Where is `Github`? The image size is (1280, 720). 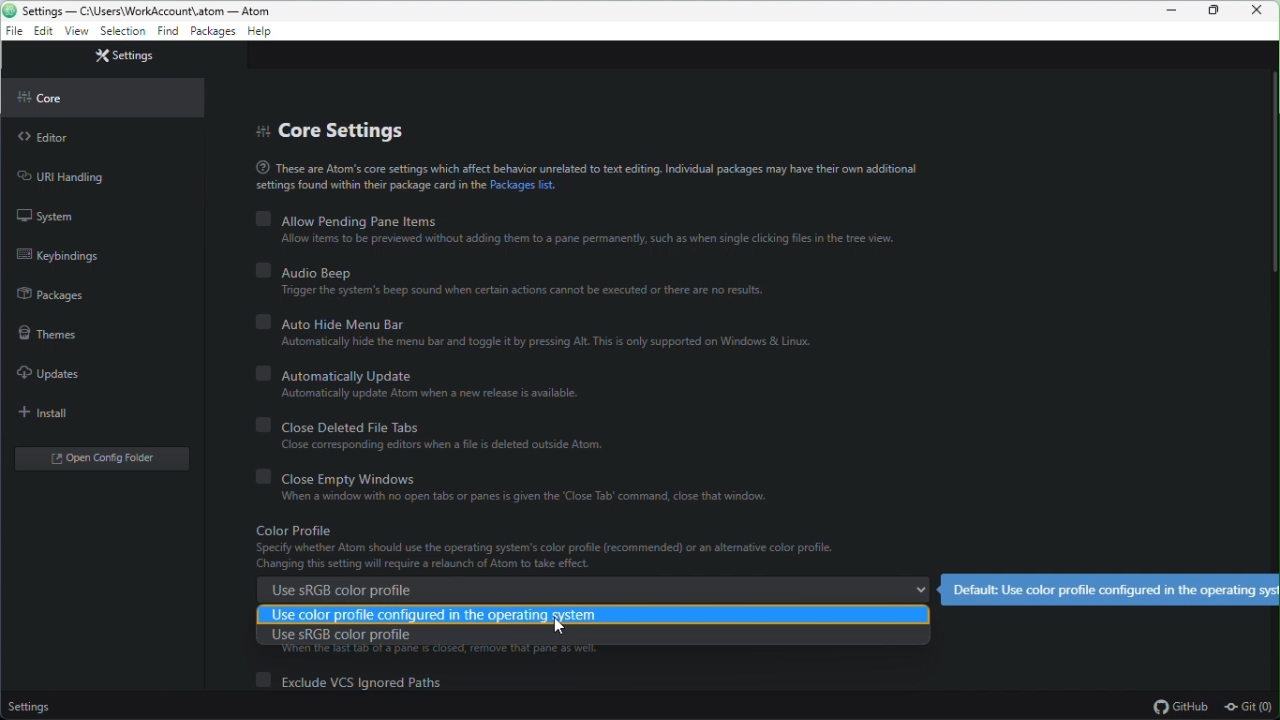 Github is located at coordinates (1179, 707).